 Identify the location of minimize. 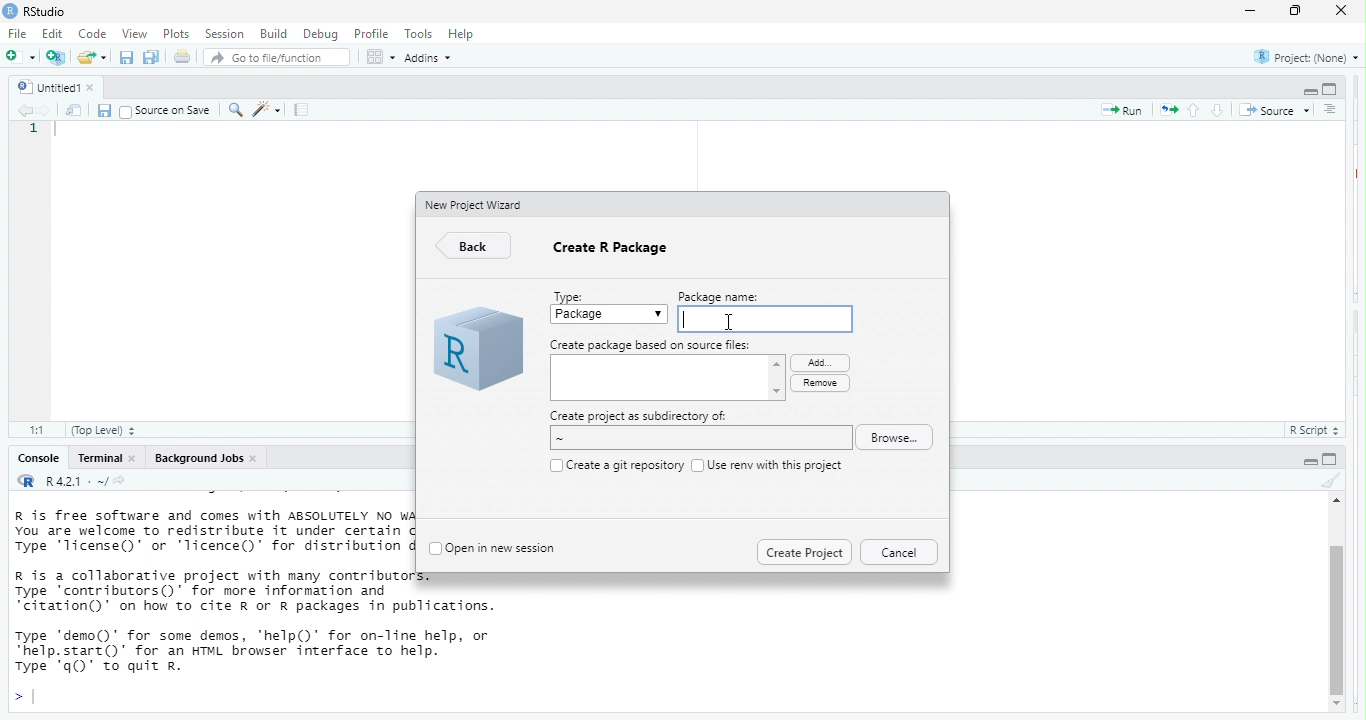
(1250, 11).